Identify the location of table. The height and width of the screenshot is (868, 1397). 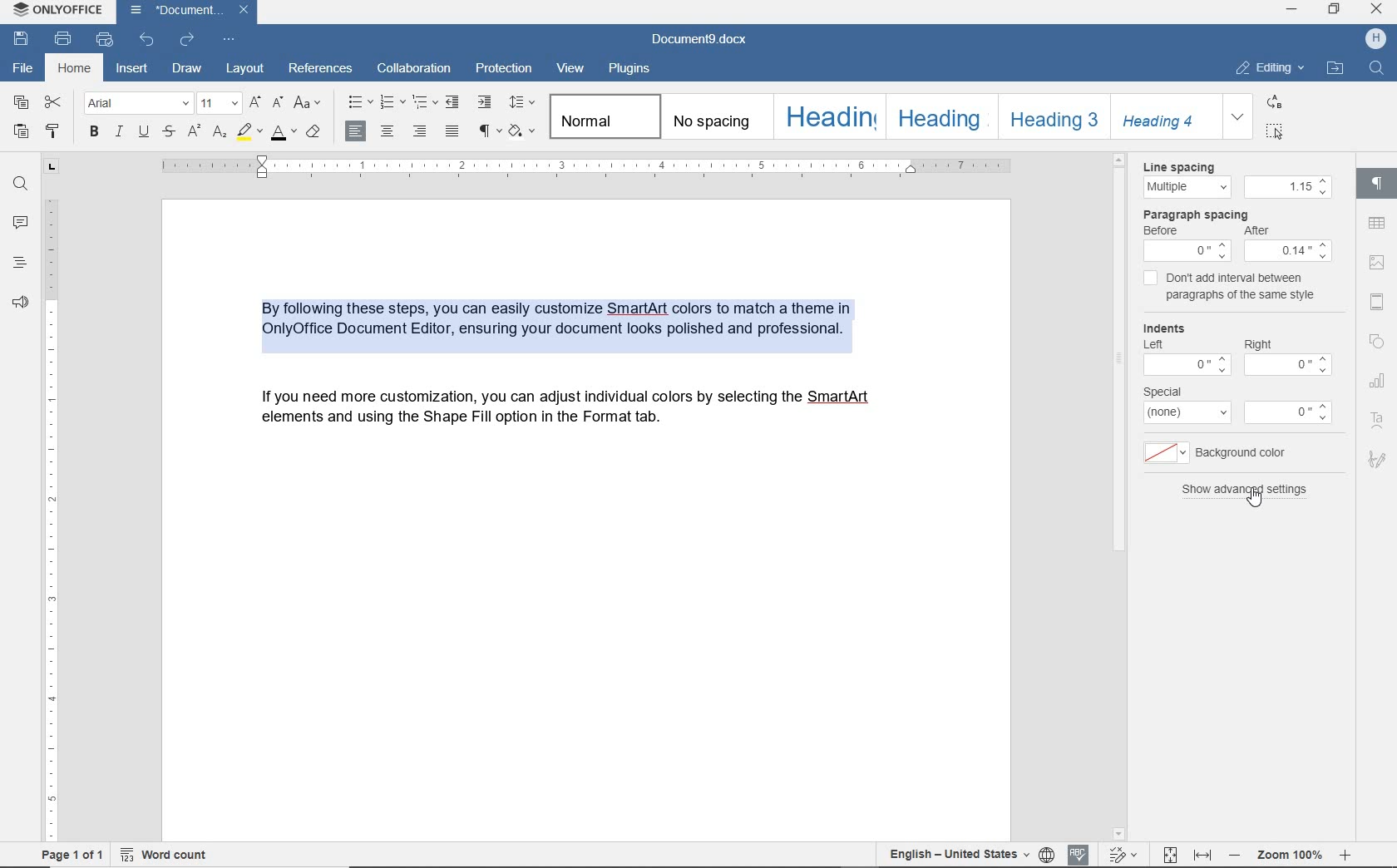
(1380, 224).